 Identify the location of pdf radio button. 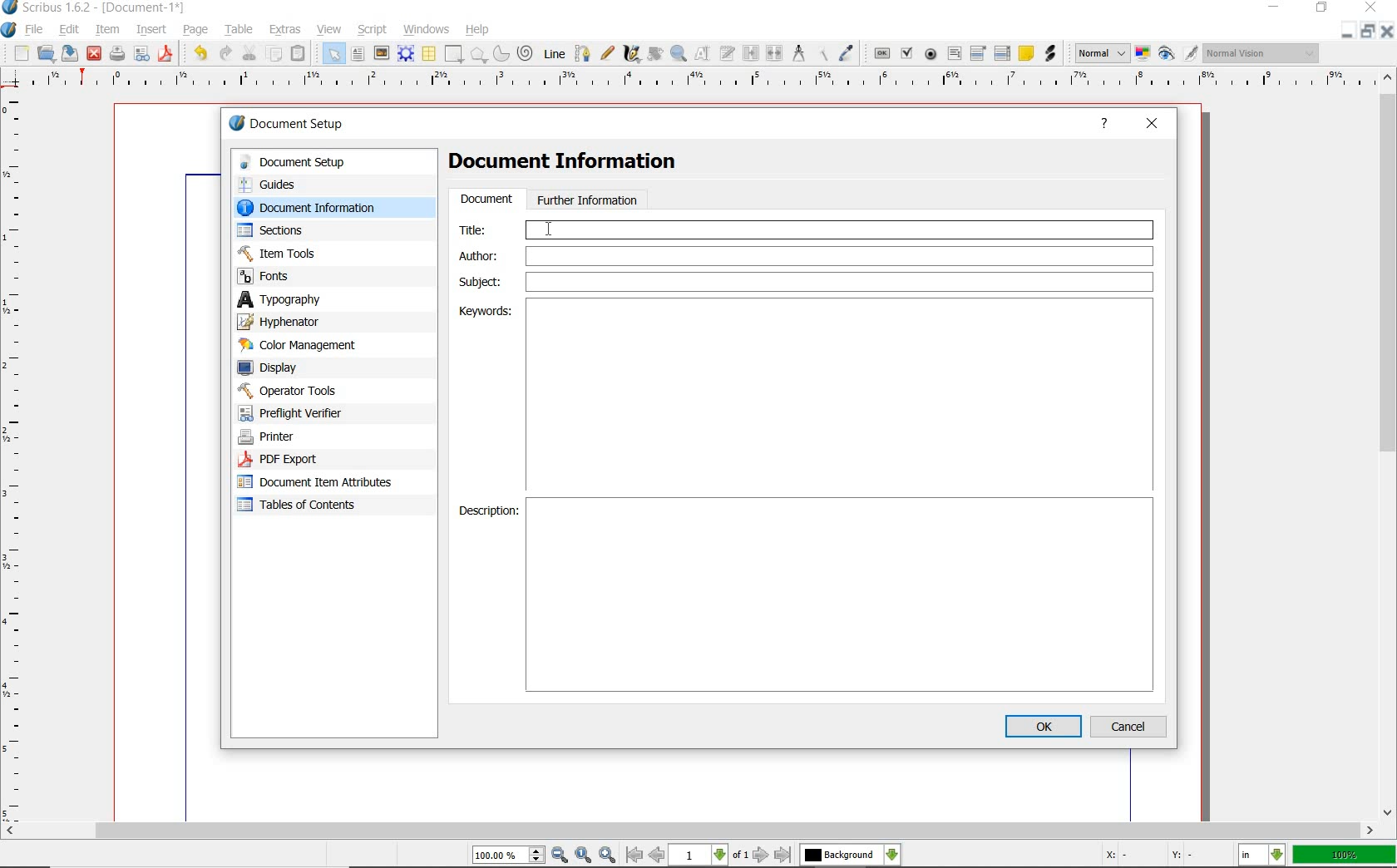
(931, 54).